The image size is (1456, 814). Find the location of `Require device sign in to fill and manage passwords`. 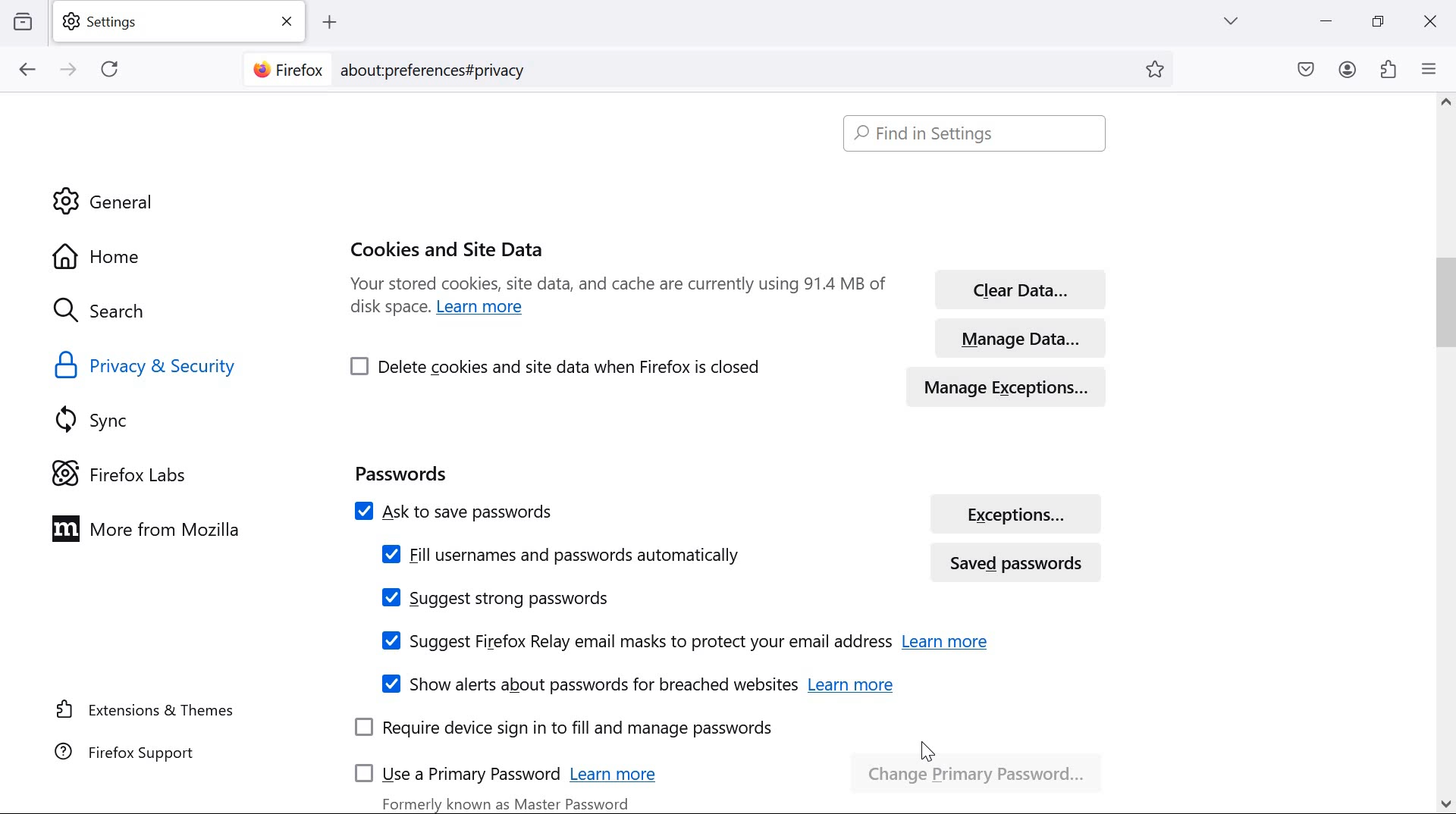

Require device sign in to fill and manage passwords is located at coordinates (564, 729).